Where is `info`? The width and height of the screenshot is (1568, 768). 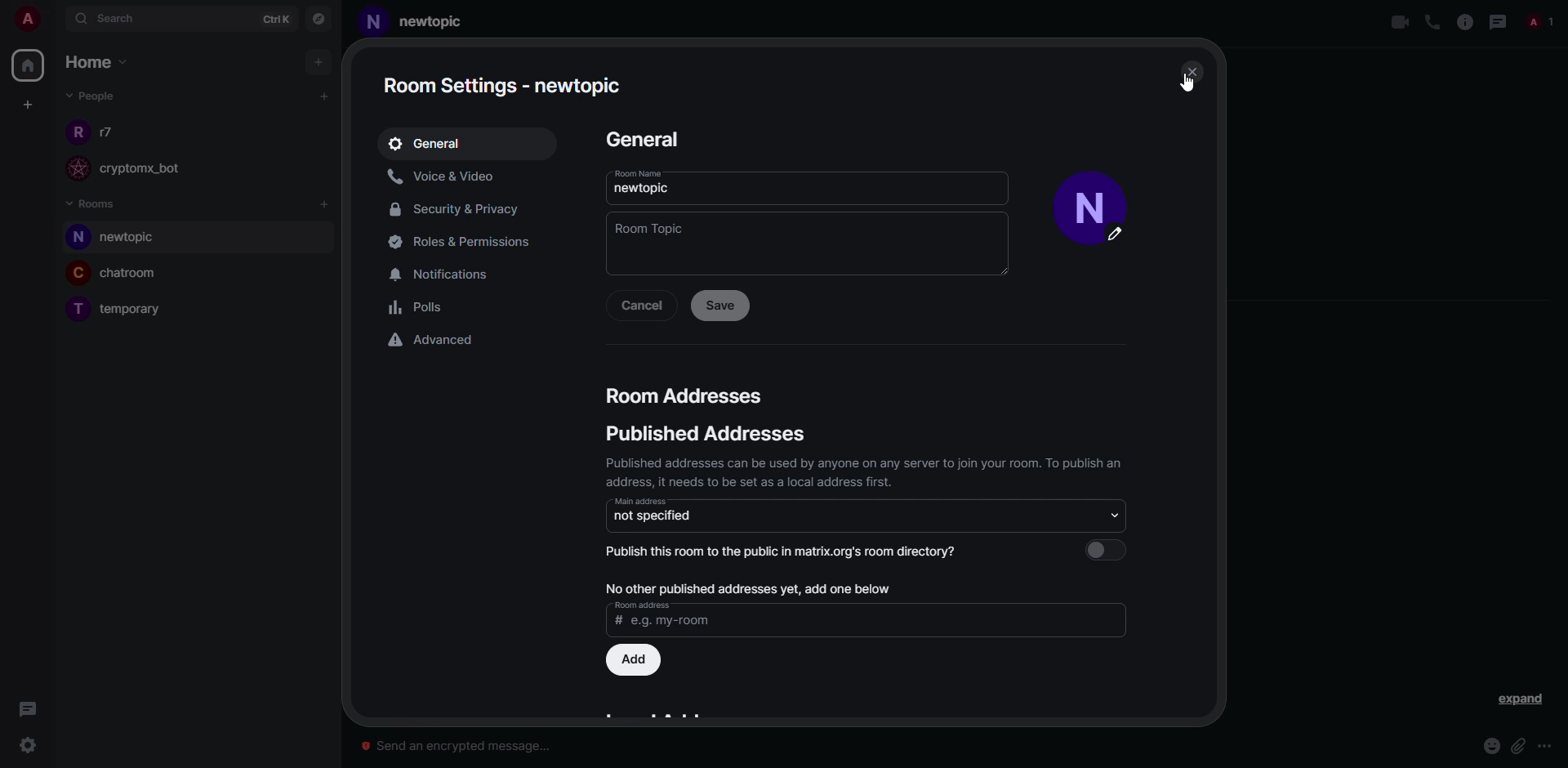
info is located at coordinates (1463, 21).